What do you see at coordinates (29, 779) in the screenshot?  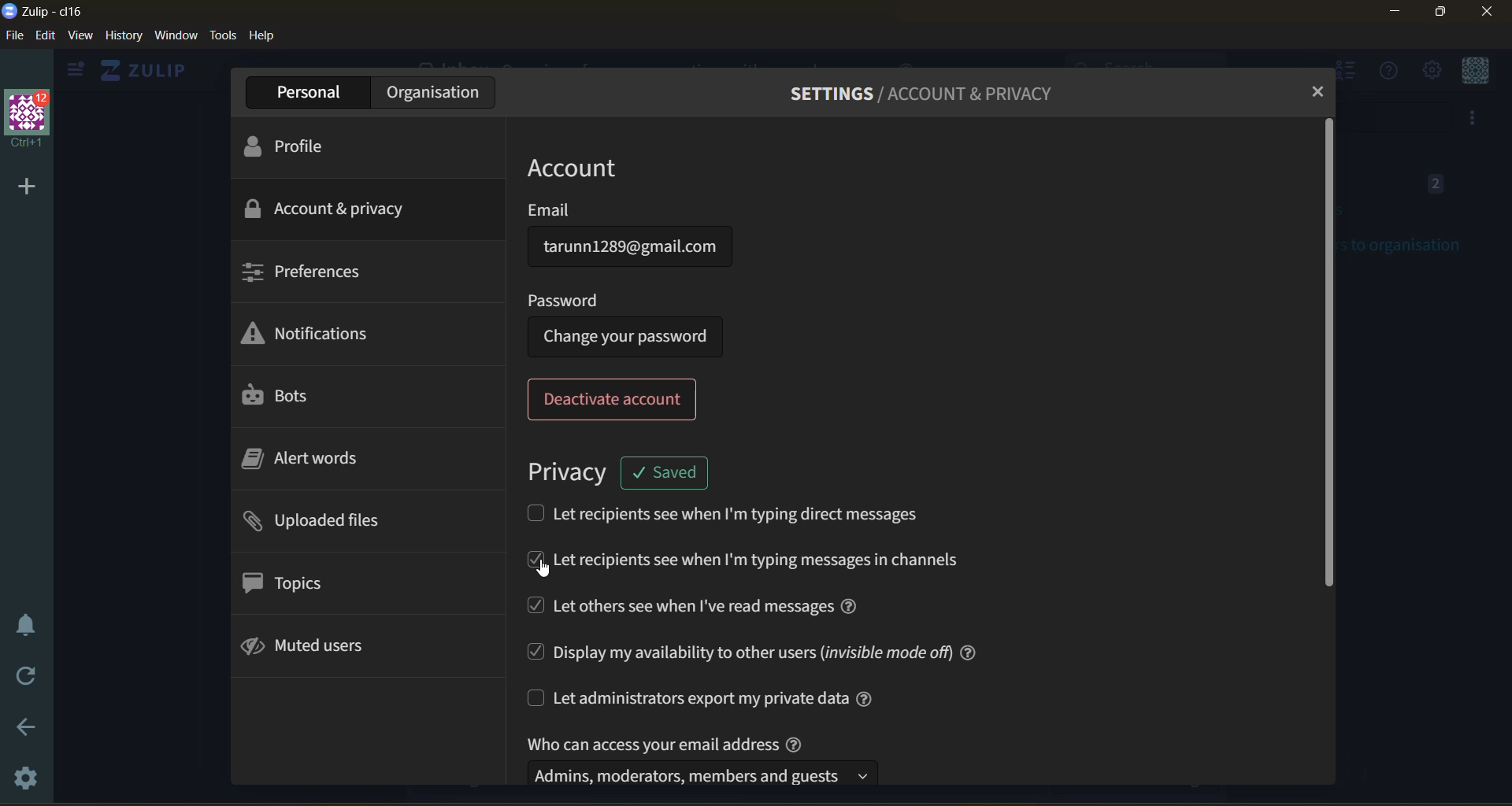 I see `settings` at bounding box center [29, 779].